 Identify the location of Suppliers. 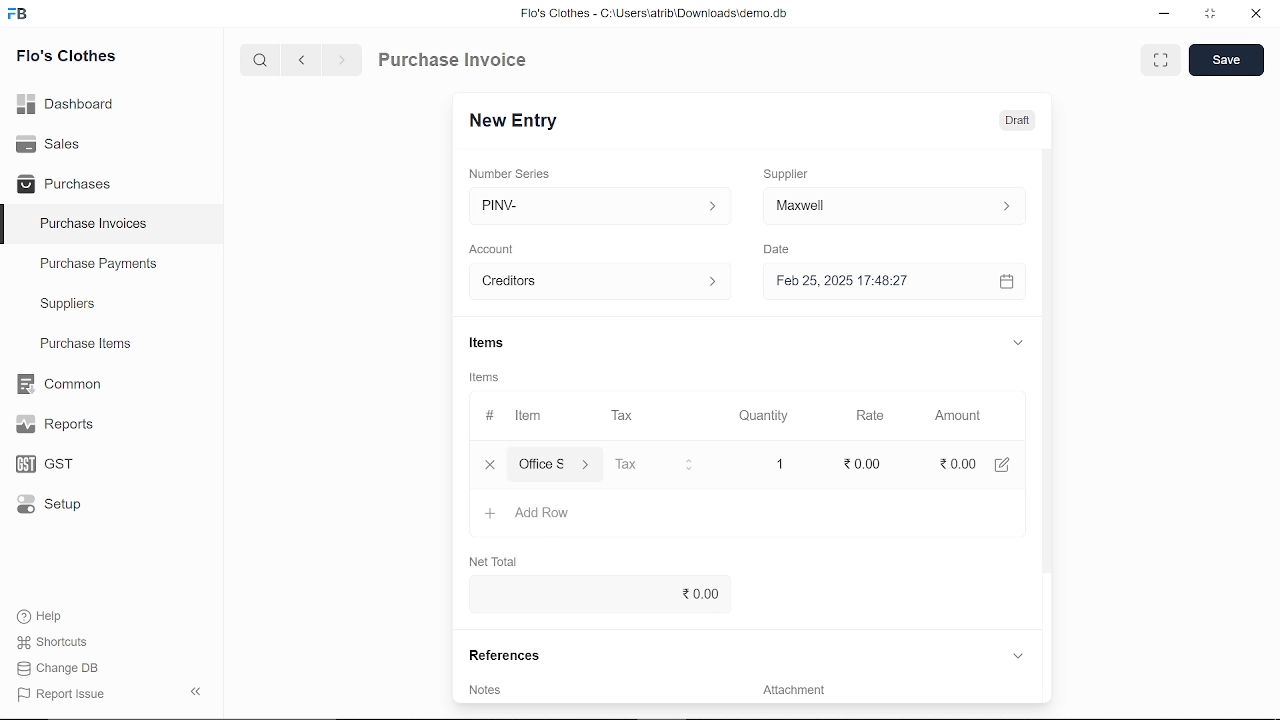
(68, 304).